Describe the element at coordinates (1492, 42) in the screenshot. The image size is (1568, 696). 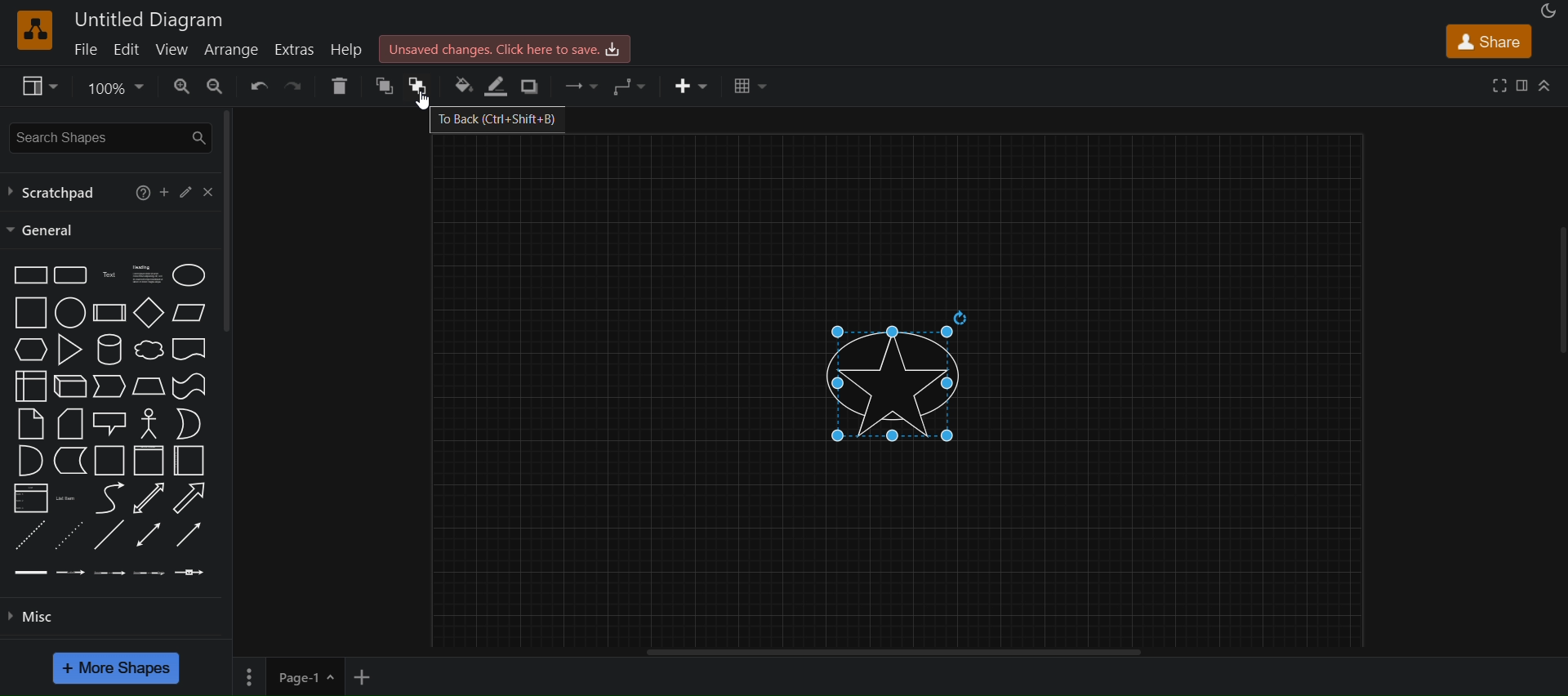
I see `share` at that location.